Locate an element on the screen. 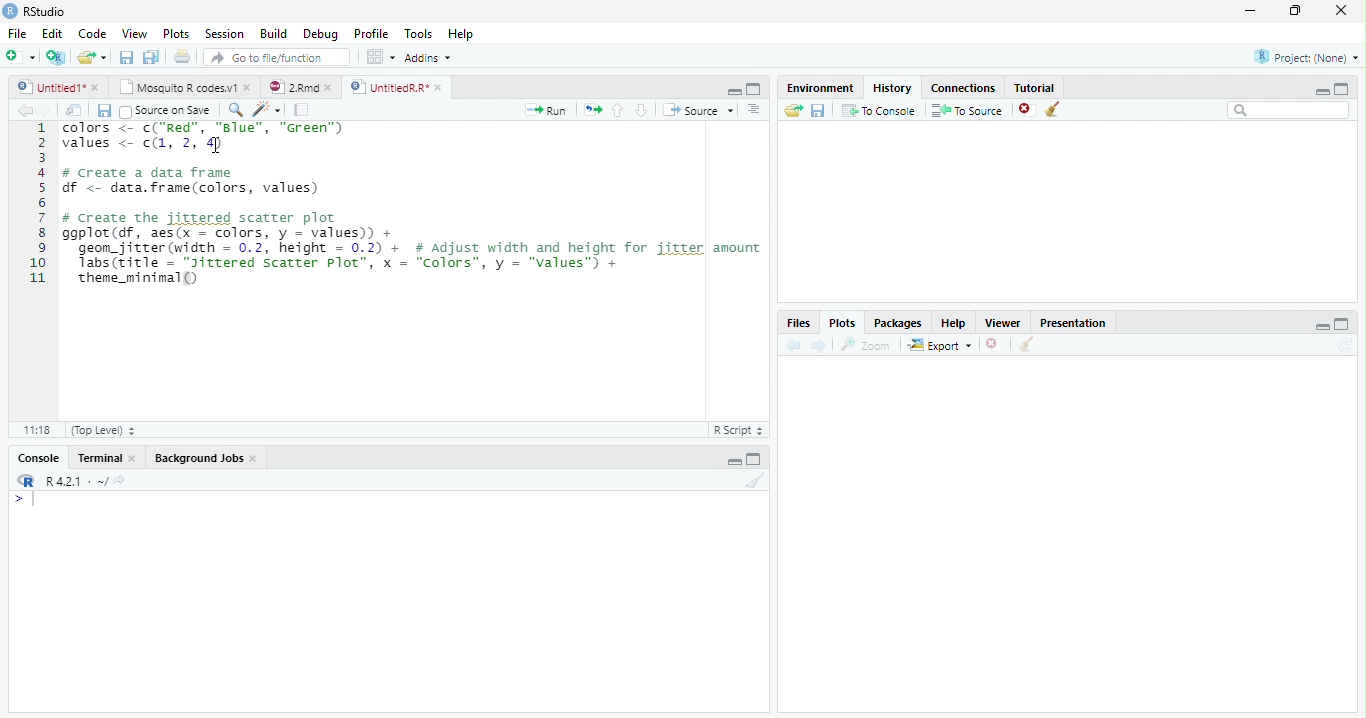  Previous plot is located at coordinates (794, 345).